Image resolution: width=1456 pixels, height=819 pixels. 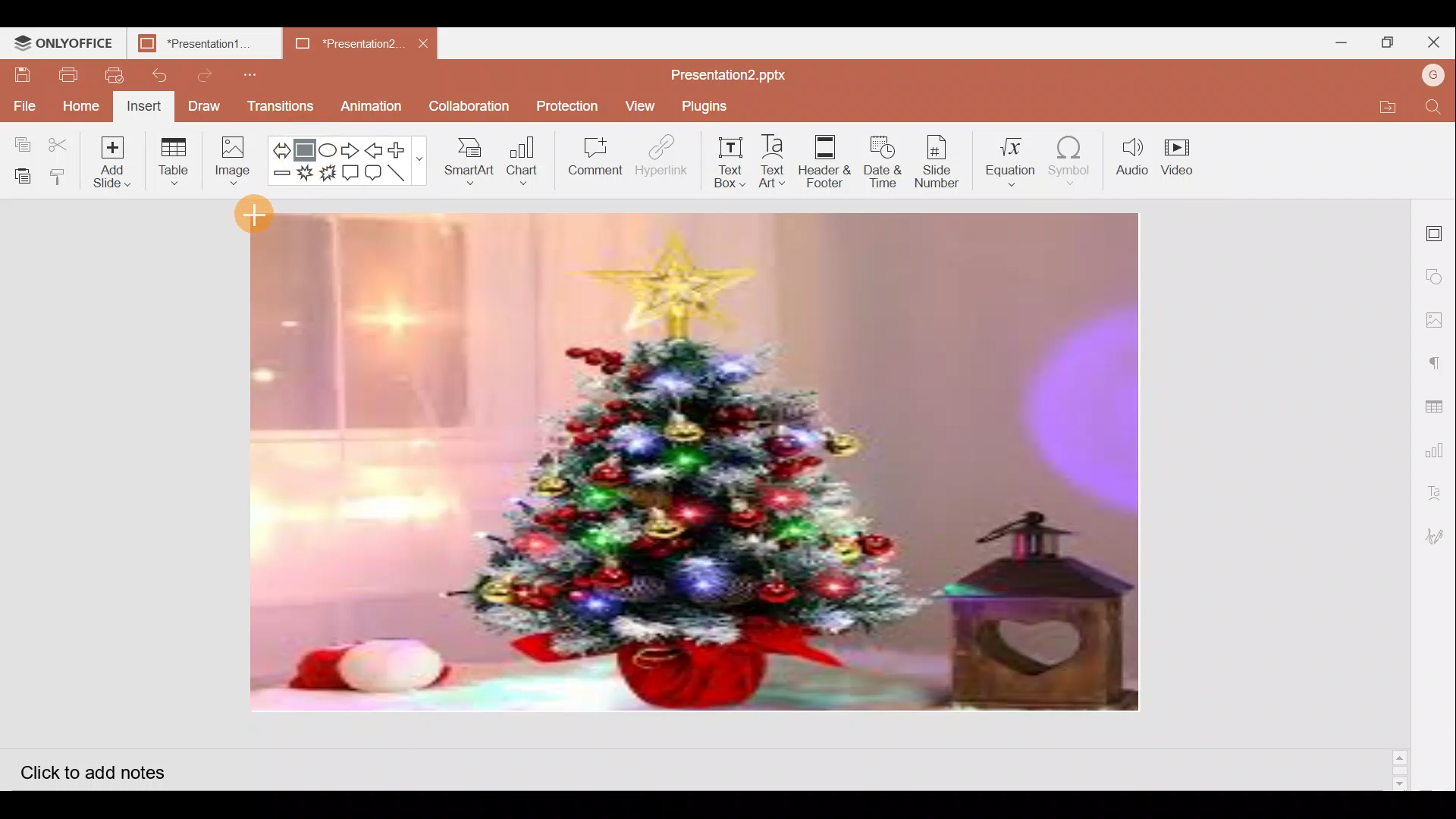 I want to click on Symbol, so click(x=1075, y=160).